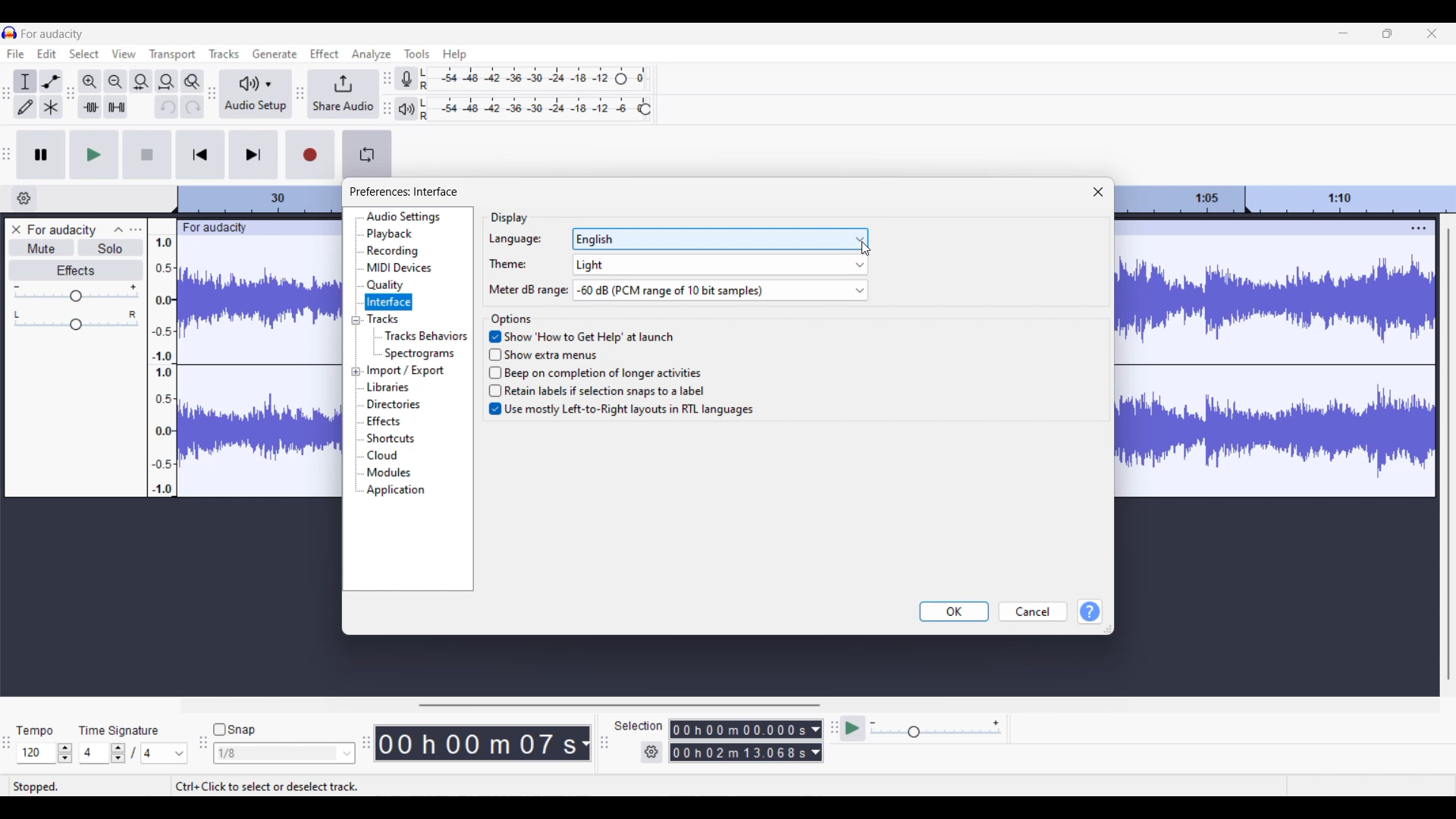  What do you see at coordinates (141, 82) in the screenshot?
I see `Fit selection to width` at bounding box center [141, 82].